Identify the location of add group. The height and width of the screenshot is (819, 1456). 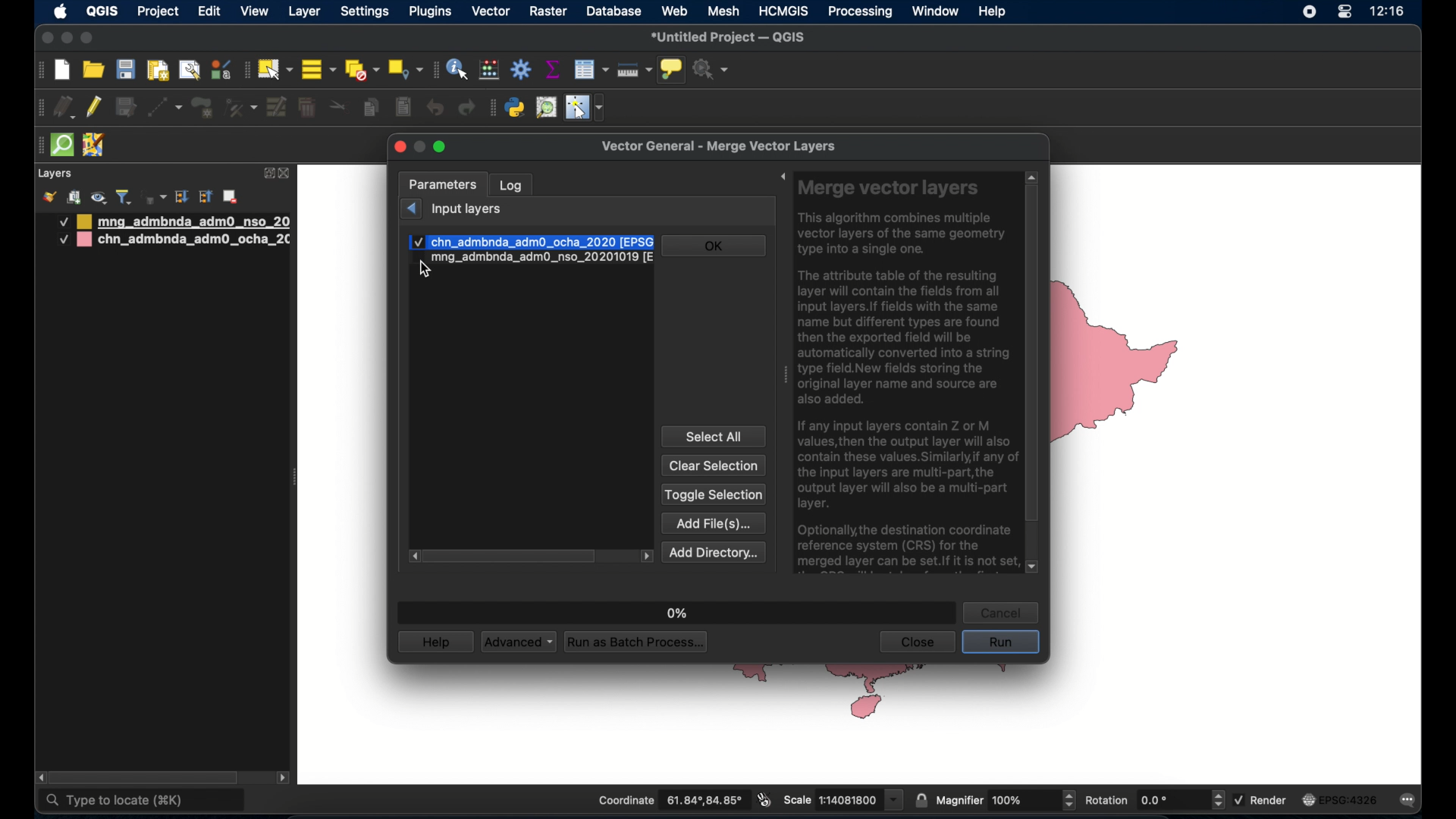
(74, 197).